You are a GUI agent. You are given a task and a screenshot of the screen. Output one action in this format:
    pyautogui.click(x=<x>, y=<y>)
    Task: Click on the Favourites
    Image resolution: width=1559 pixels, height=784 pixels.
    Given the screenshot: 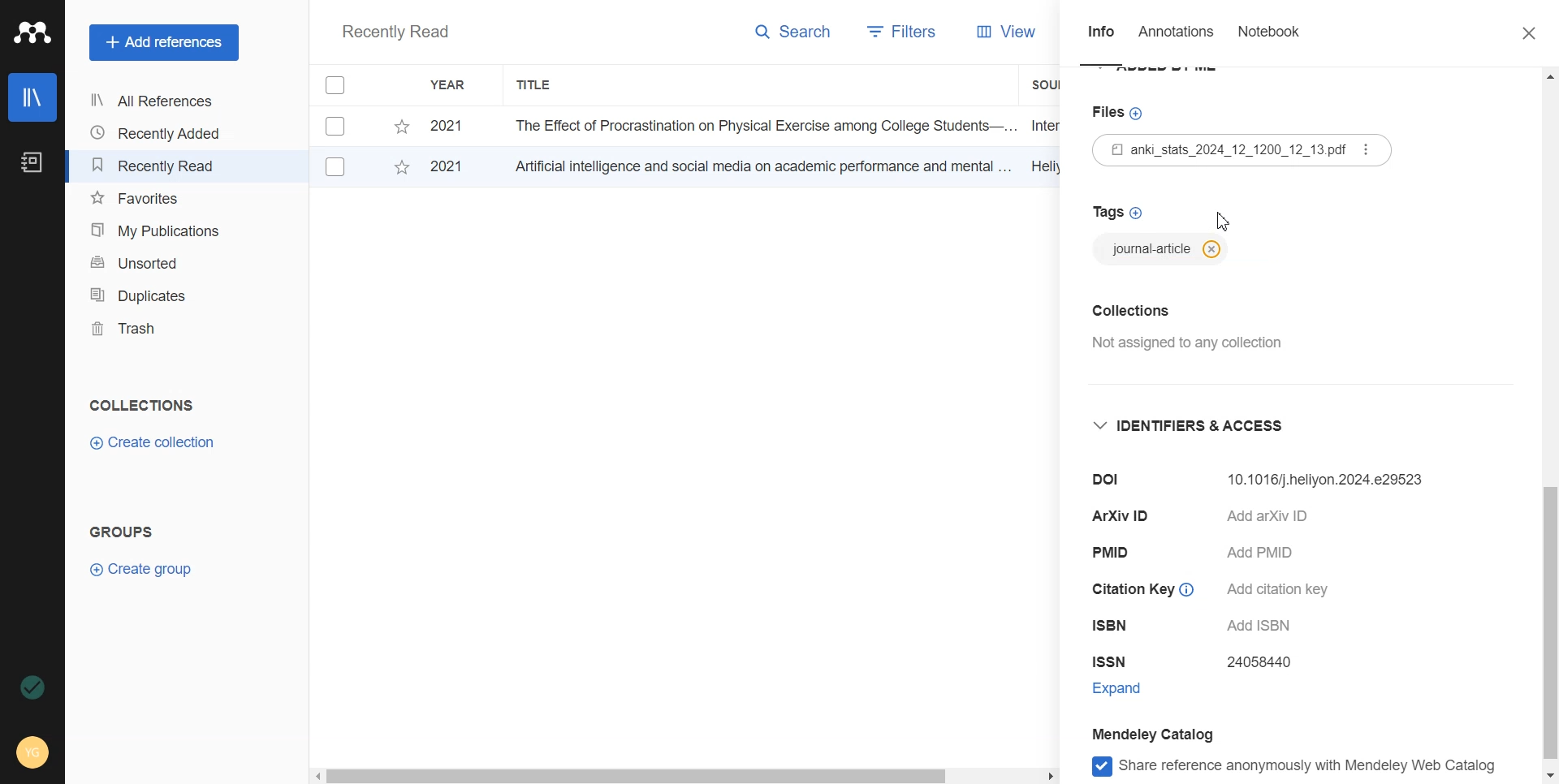 What is the action you would take?
    pyautogui.click(x=160, y=199)
    